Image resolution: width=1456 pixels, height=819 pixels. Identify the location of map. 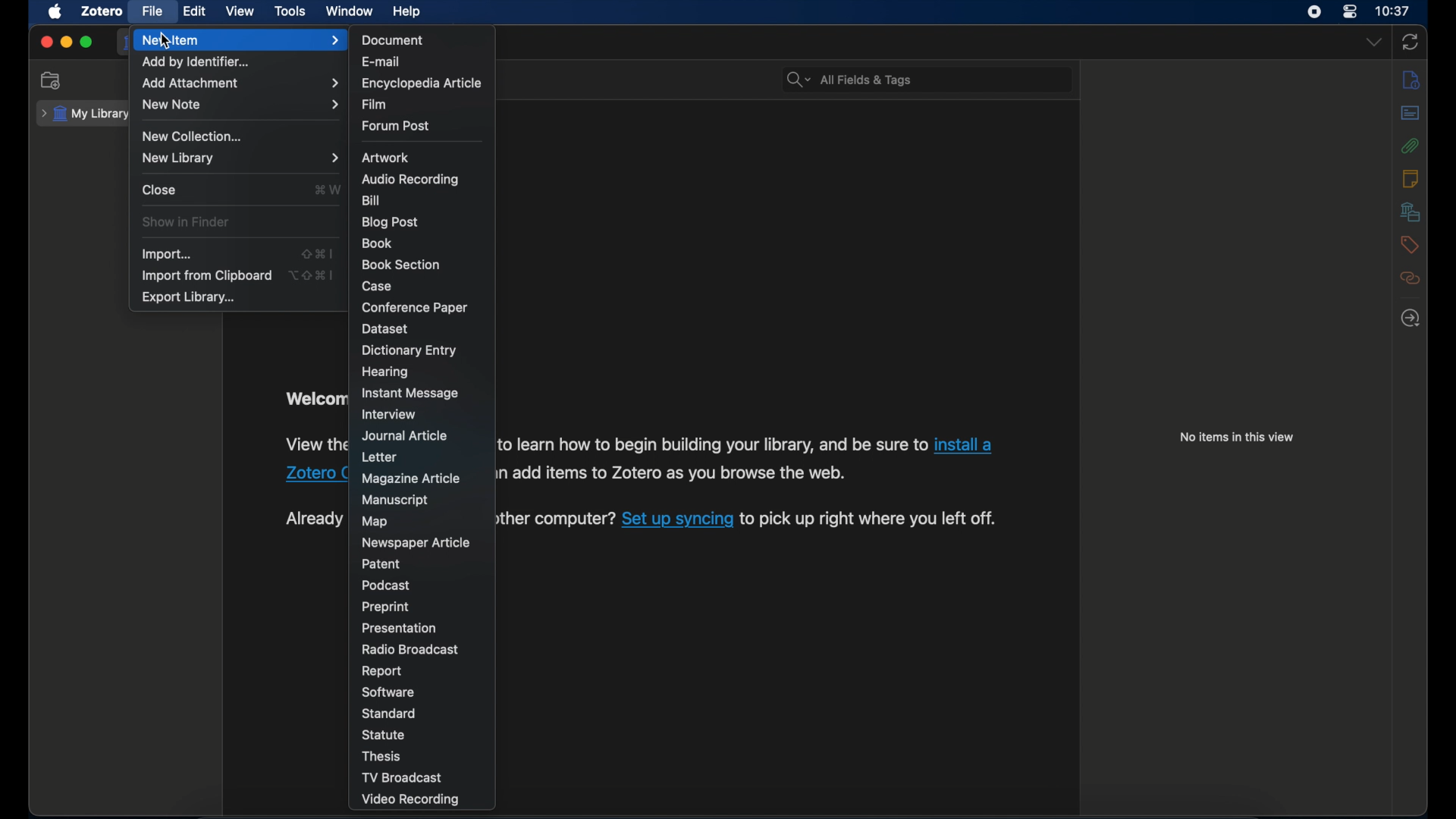
(374, 521).